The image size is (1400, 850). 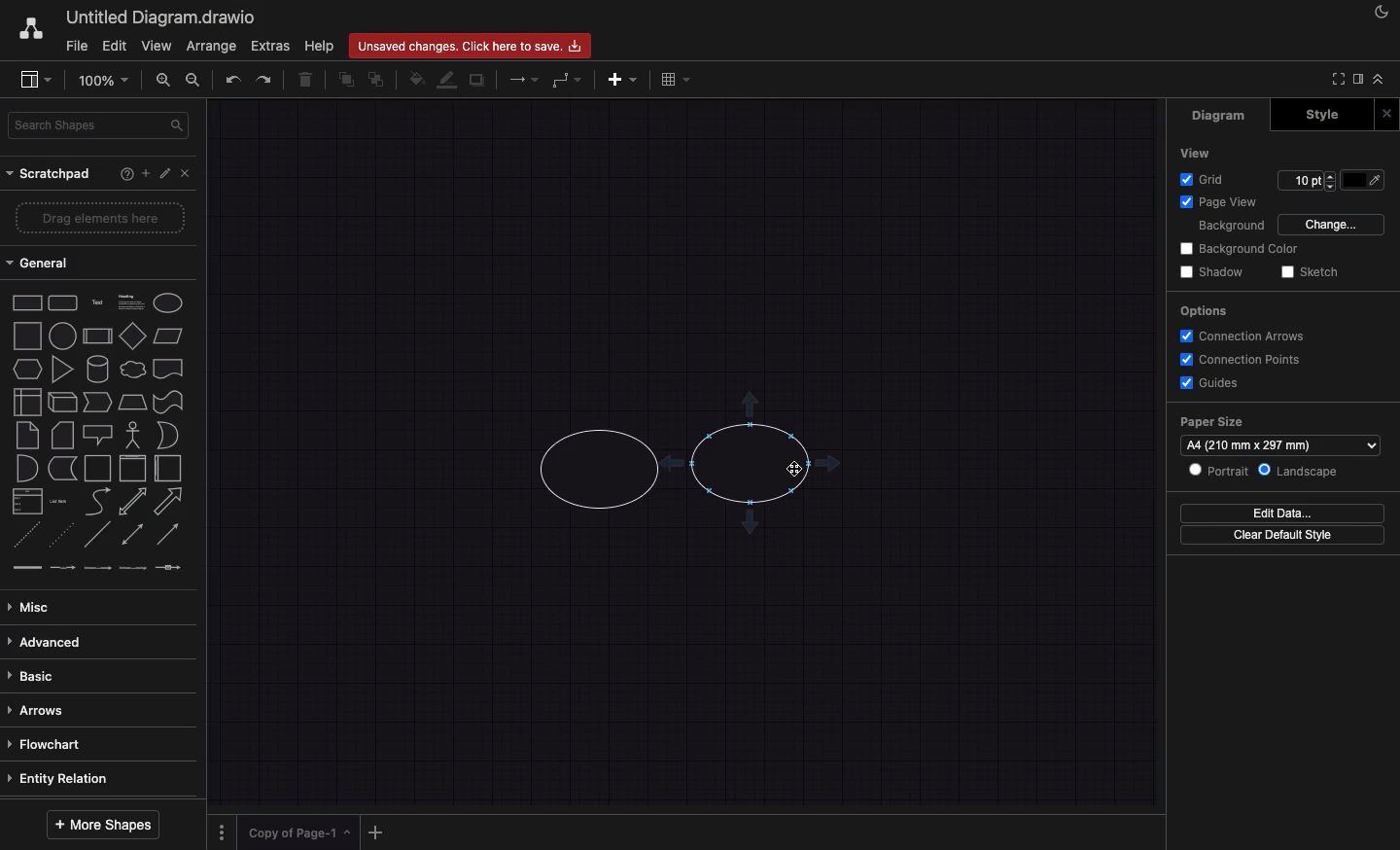 What do you see at coordinates (1204, 310) in the screenshot?
I see `options` at bounding box center [1204, 310].